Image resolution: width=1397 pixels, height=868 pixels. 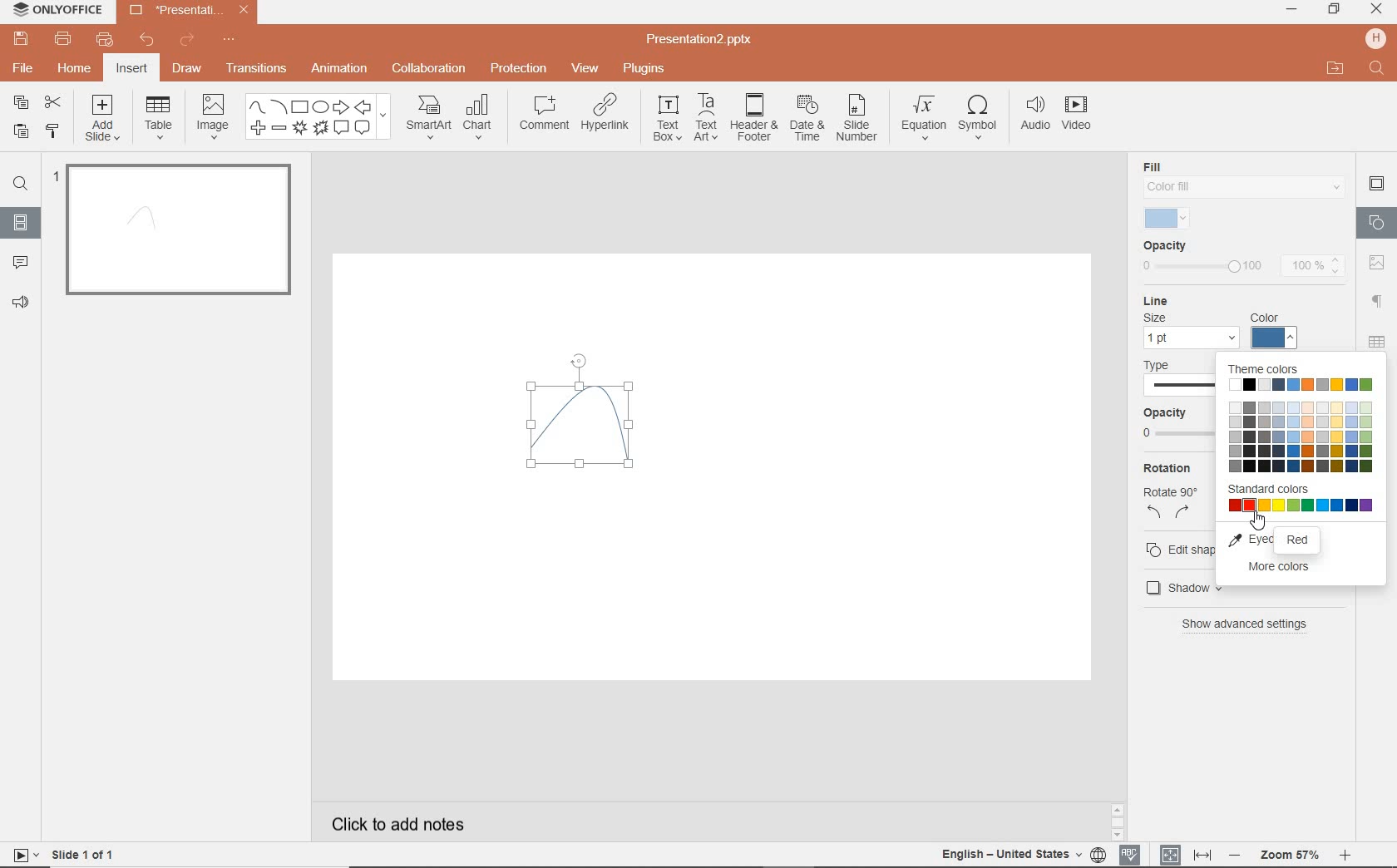 What do you see at coordinates (429, 67) in the screenshot?
I see `COLLABORATION` at bounding box center [429, 67].